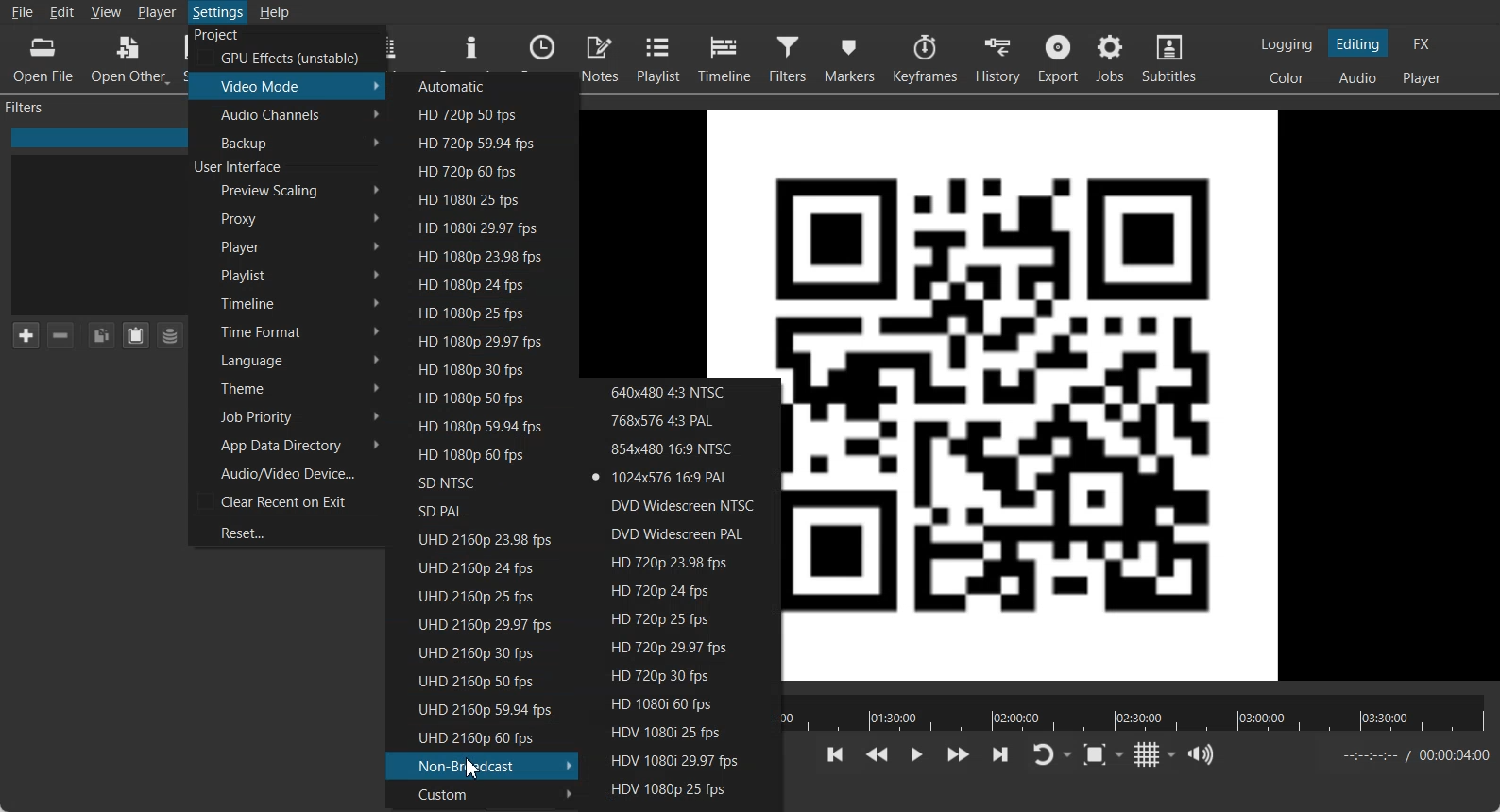  I want to click on UHD 2160p 59.94 fps, so click(476, 710).